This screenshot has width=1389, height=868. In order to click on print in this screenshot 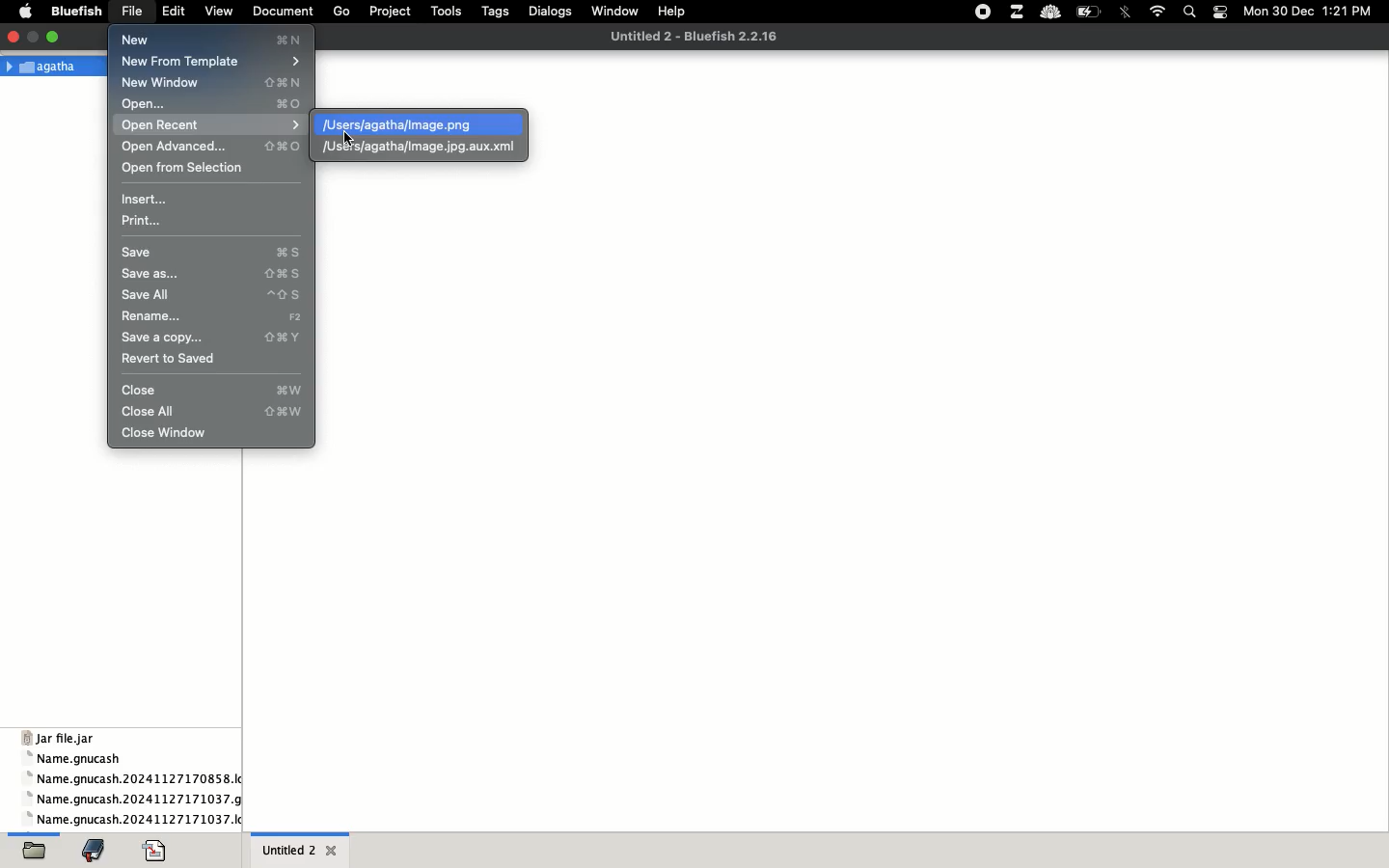, I will do `click(141, 220)`.